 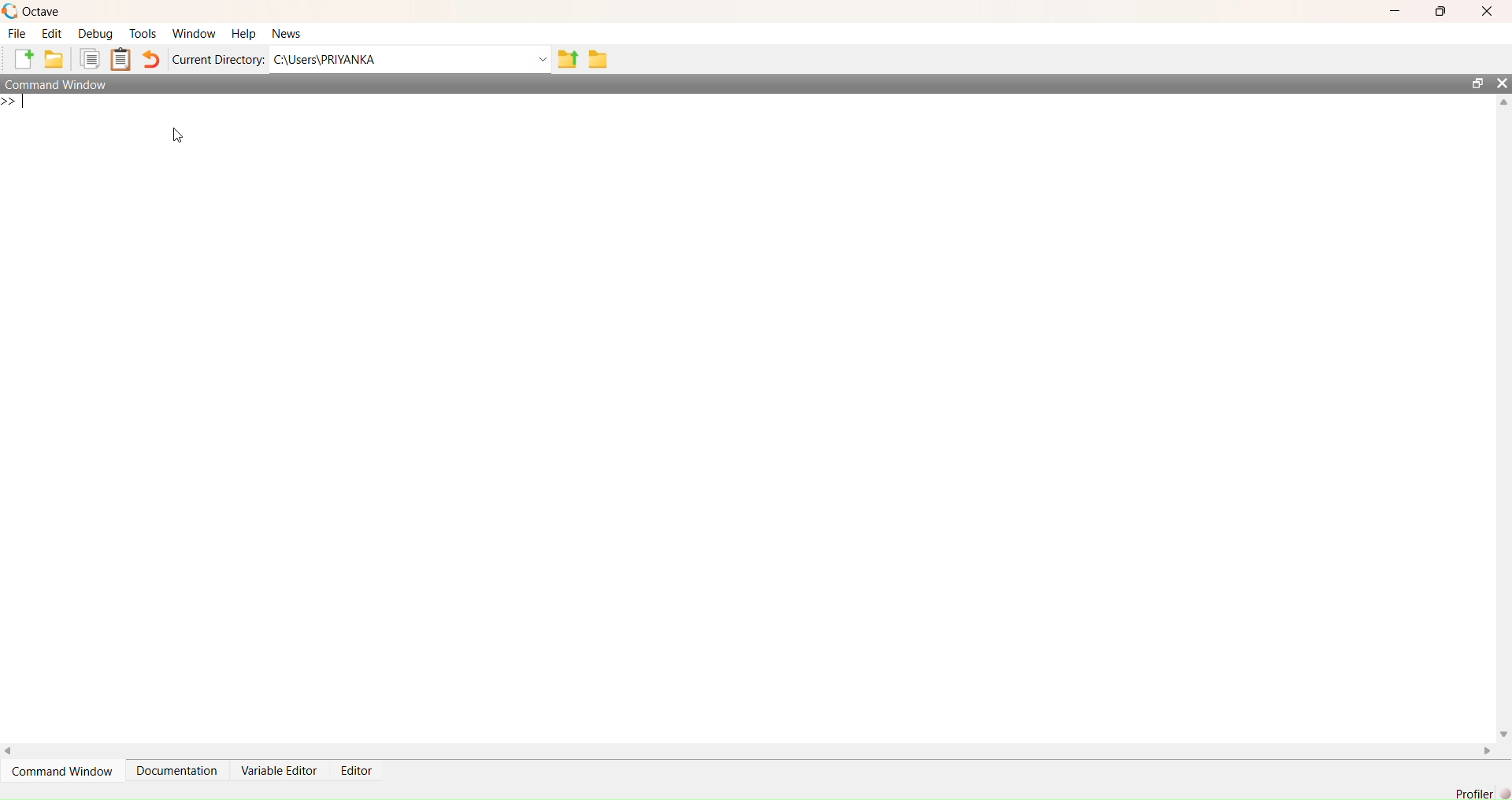 What do you see at coordinates (1472, 791) in the screenshot?
I see `Profiler]` at bounding box center [1472, 791].